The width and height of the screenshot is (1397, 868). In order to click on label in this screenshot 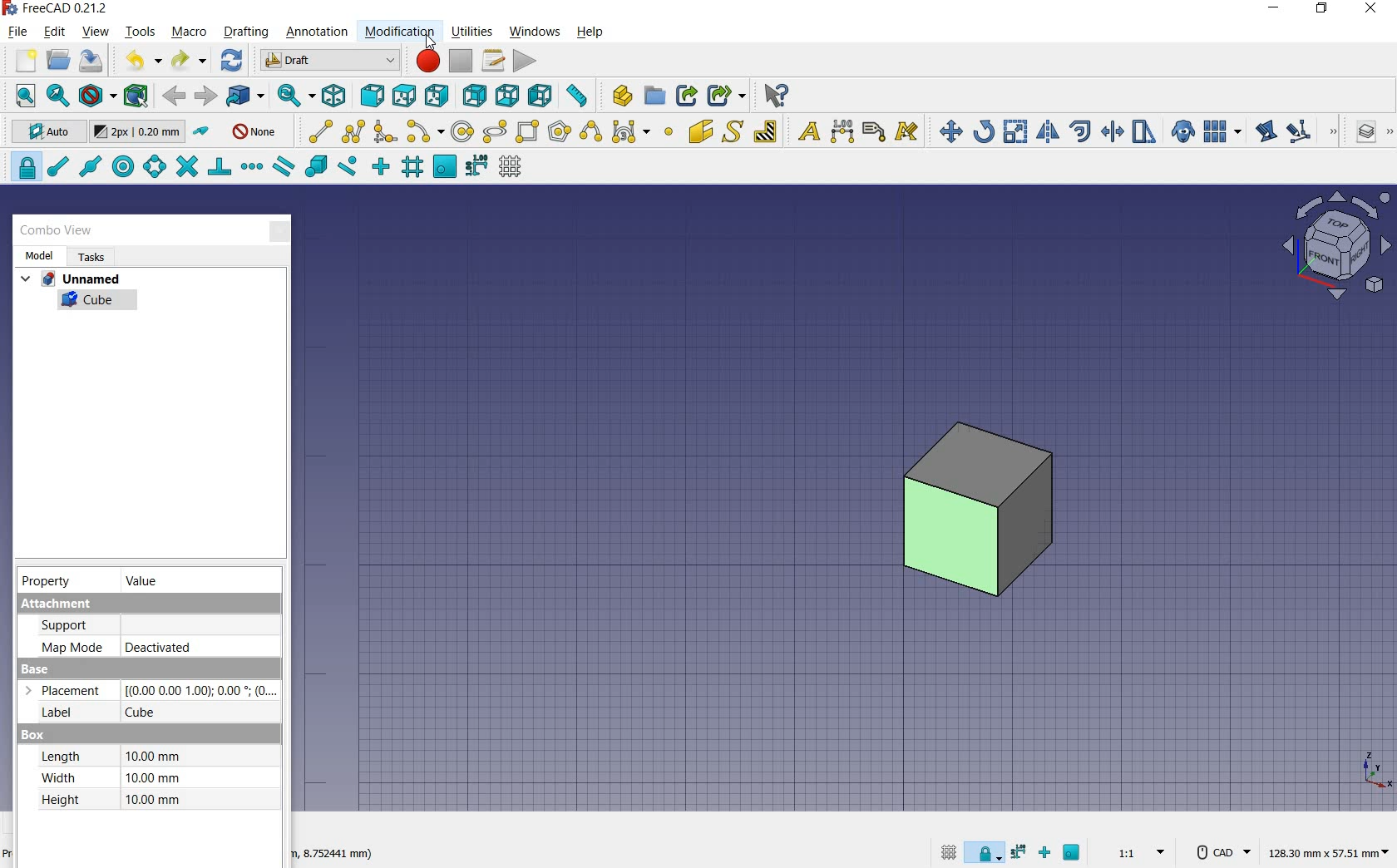, I will do `click(874, 131)`.